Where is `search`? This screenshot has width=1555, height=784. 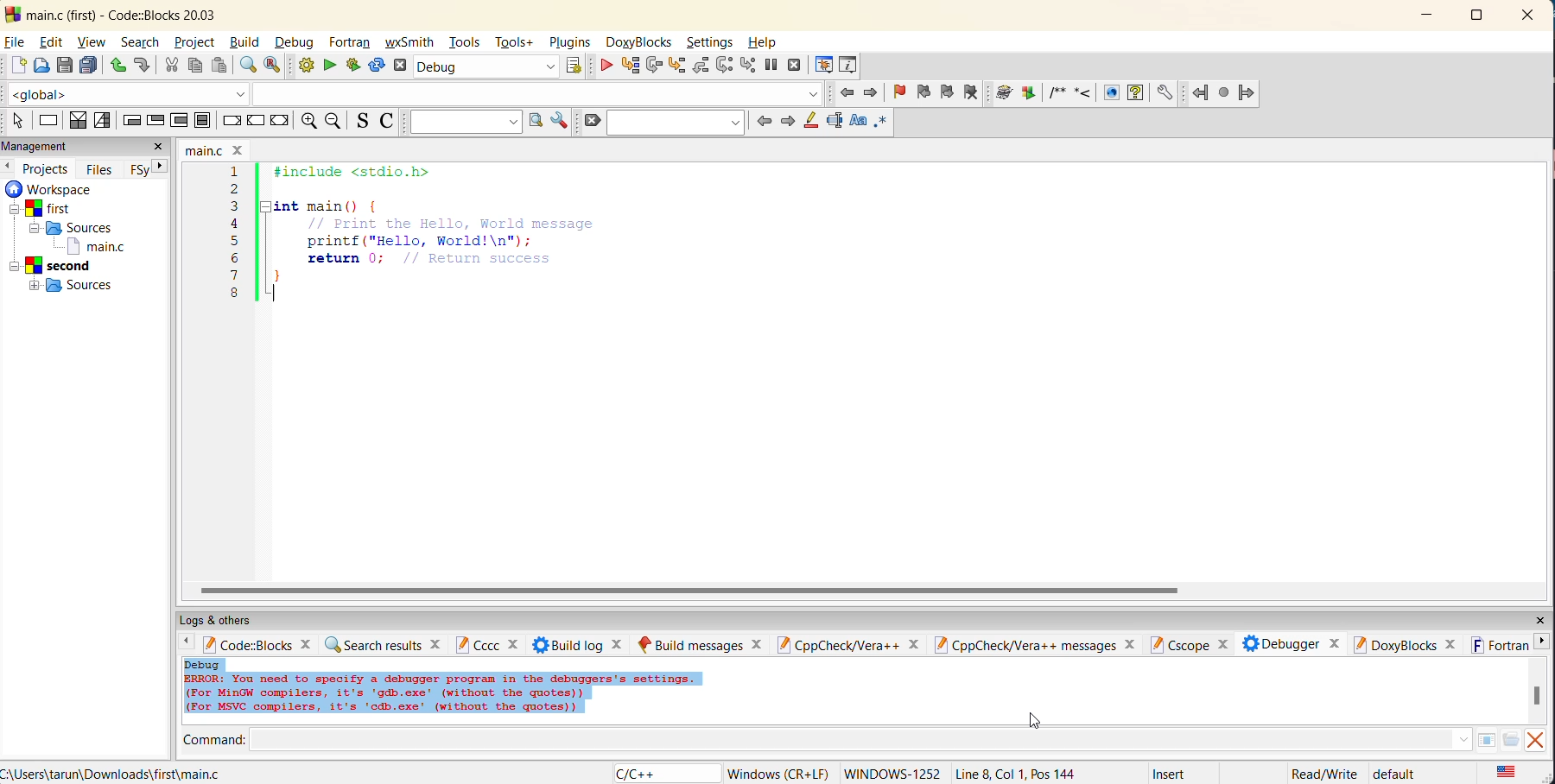 search is located at coordinates (143, 42).